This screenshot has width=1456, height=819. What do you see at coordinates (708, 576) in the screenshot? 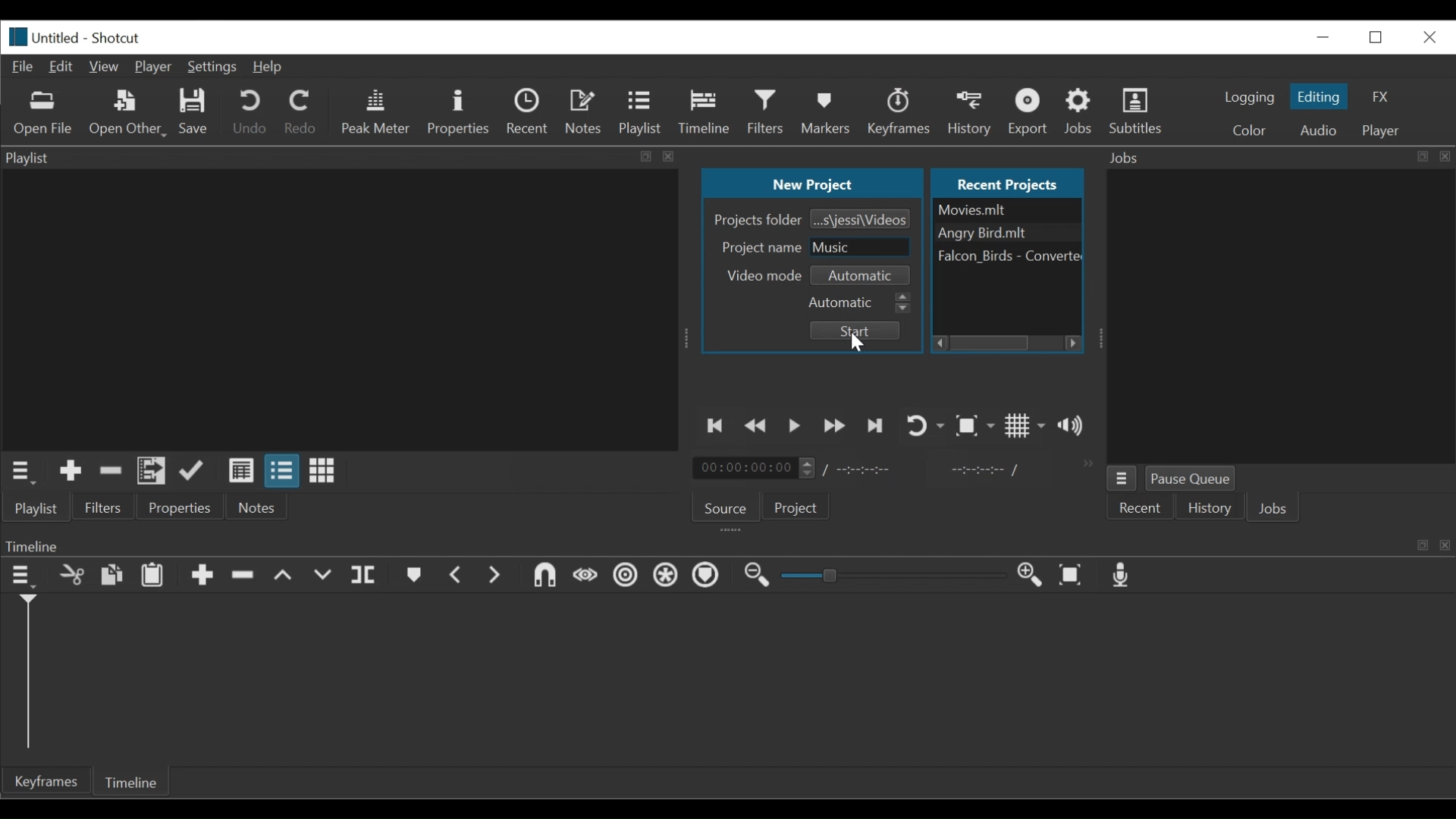
I see `Ripple Markers` at bounding box center [708, 576].